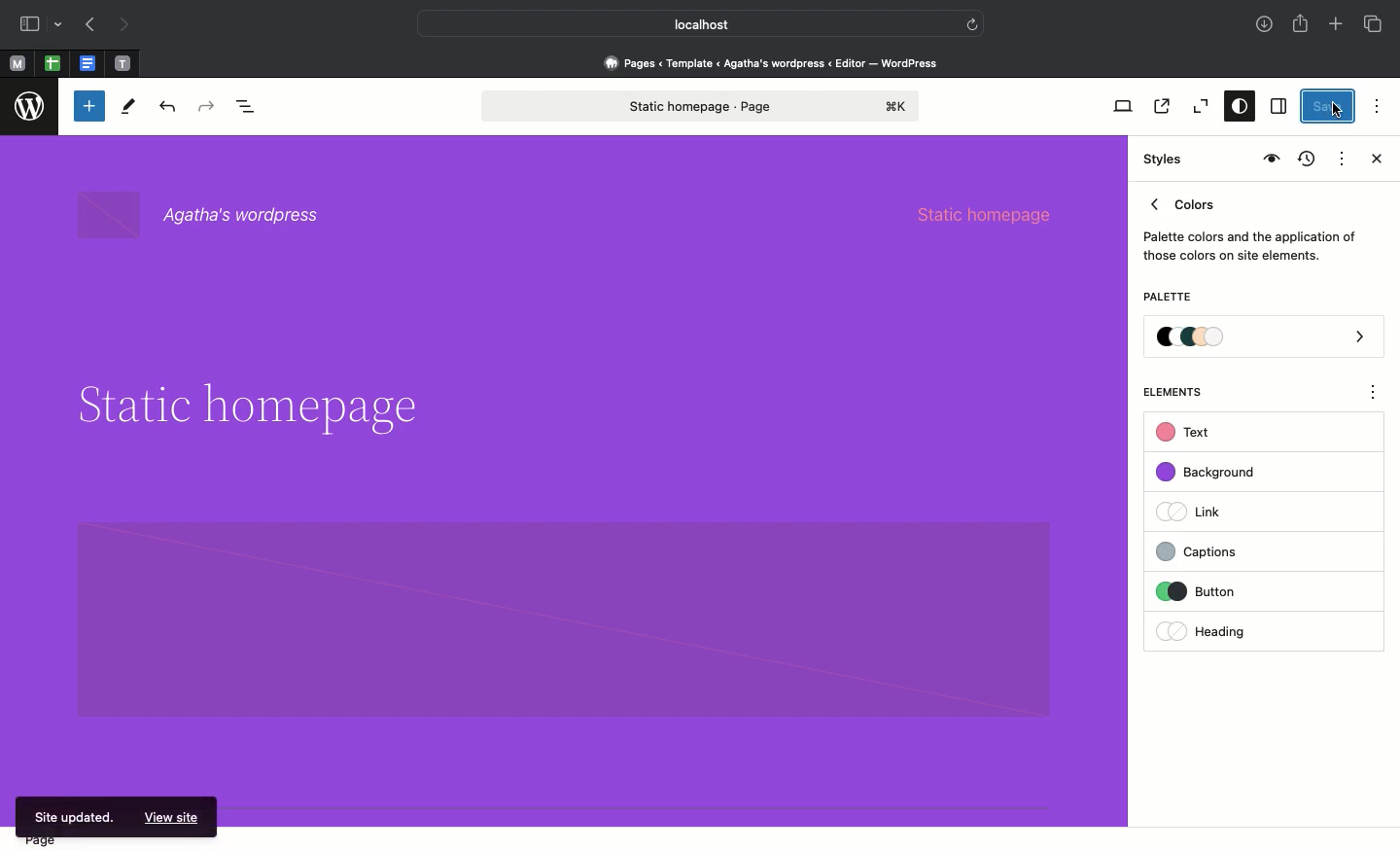 This screenshot has width=1400, height=850. Describe the element at coordinates (88, 26) in the screenshot. I see `Previous page` at that location.